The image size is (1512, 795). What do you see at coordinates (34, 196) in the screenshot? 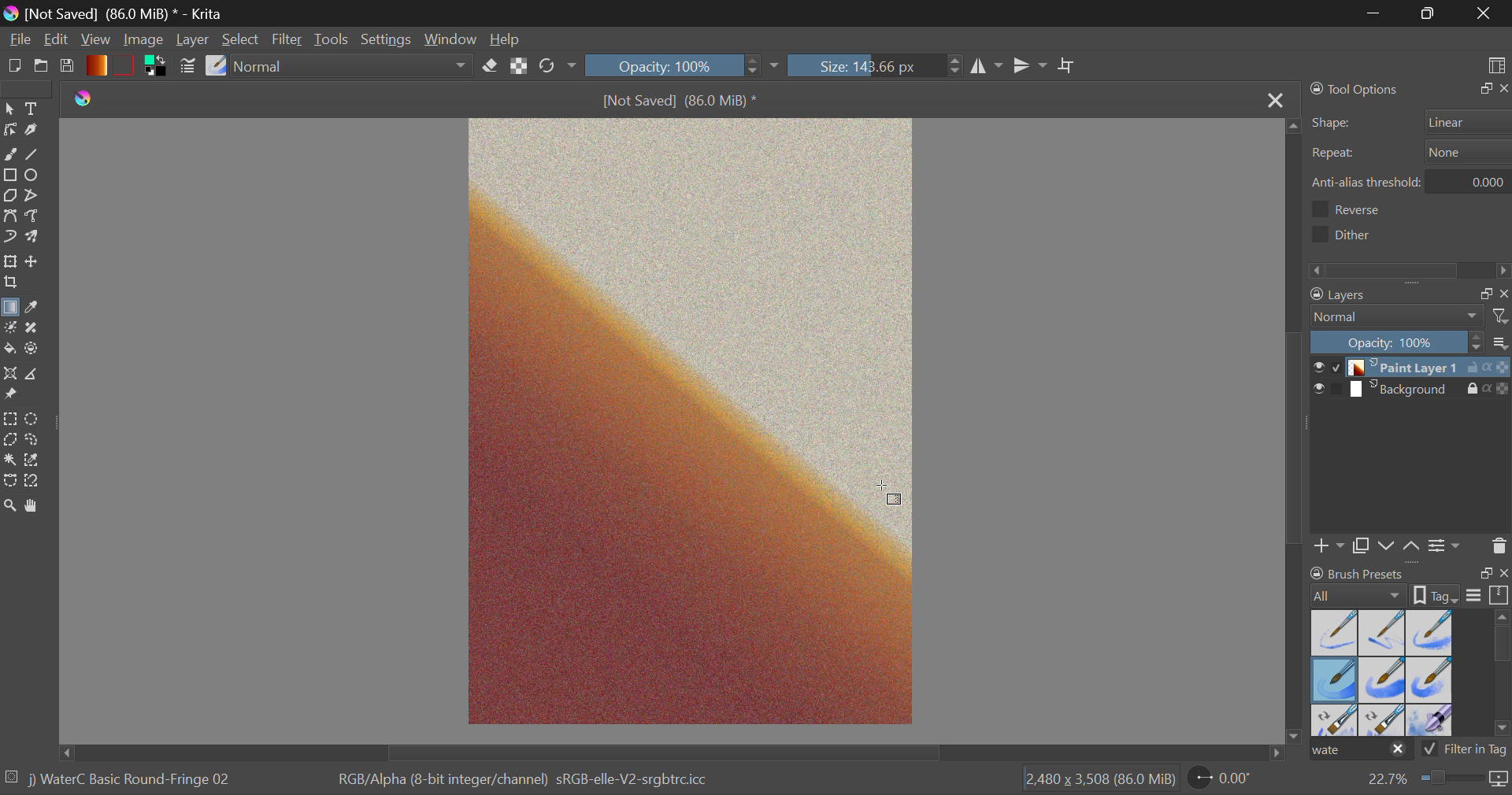
I see `Polyline` at bounding box center [34, 196].